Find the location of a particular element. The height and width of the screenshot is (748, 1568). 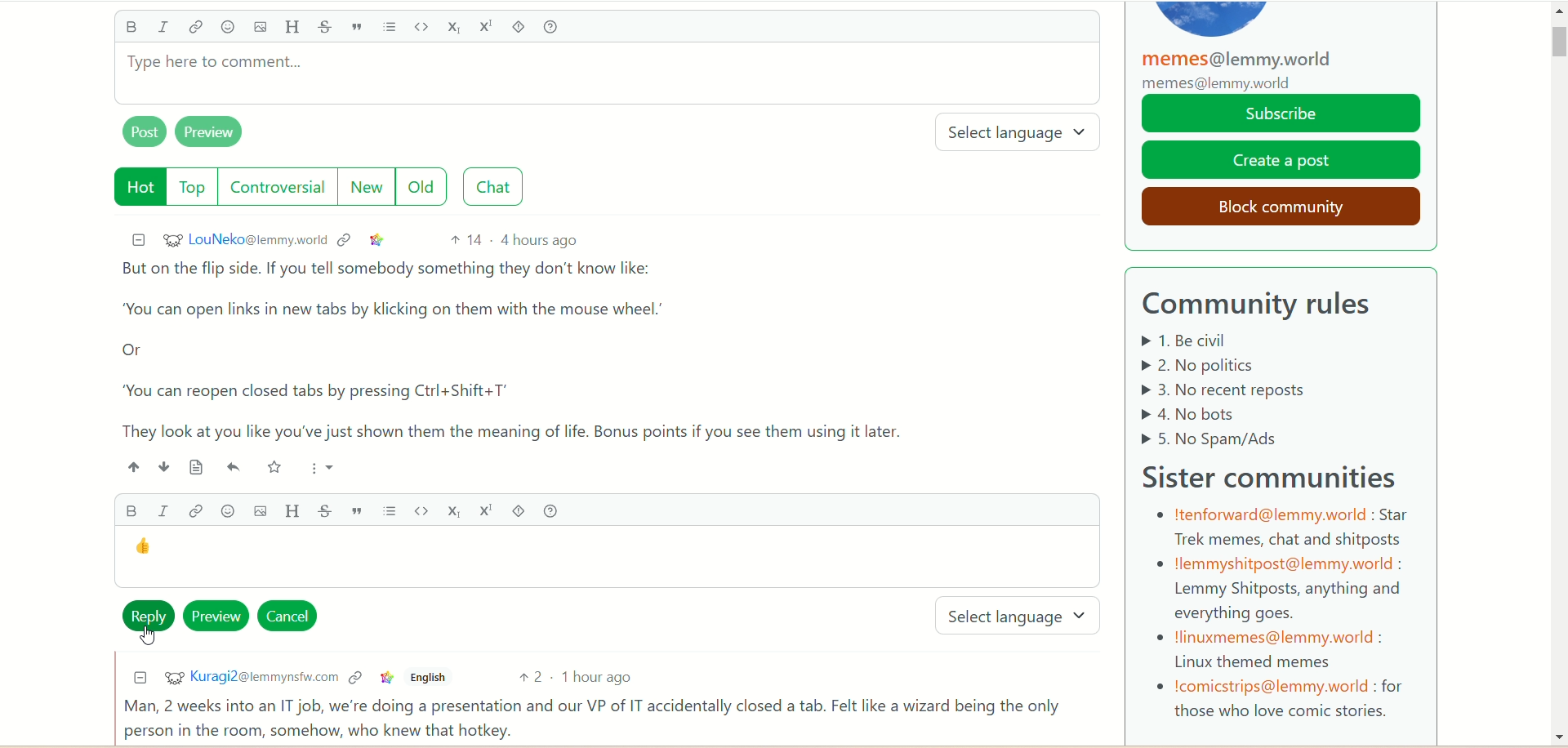

reply is located at coordinates (145, 610).